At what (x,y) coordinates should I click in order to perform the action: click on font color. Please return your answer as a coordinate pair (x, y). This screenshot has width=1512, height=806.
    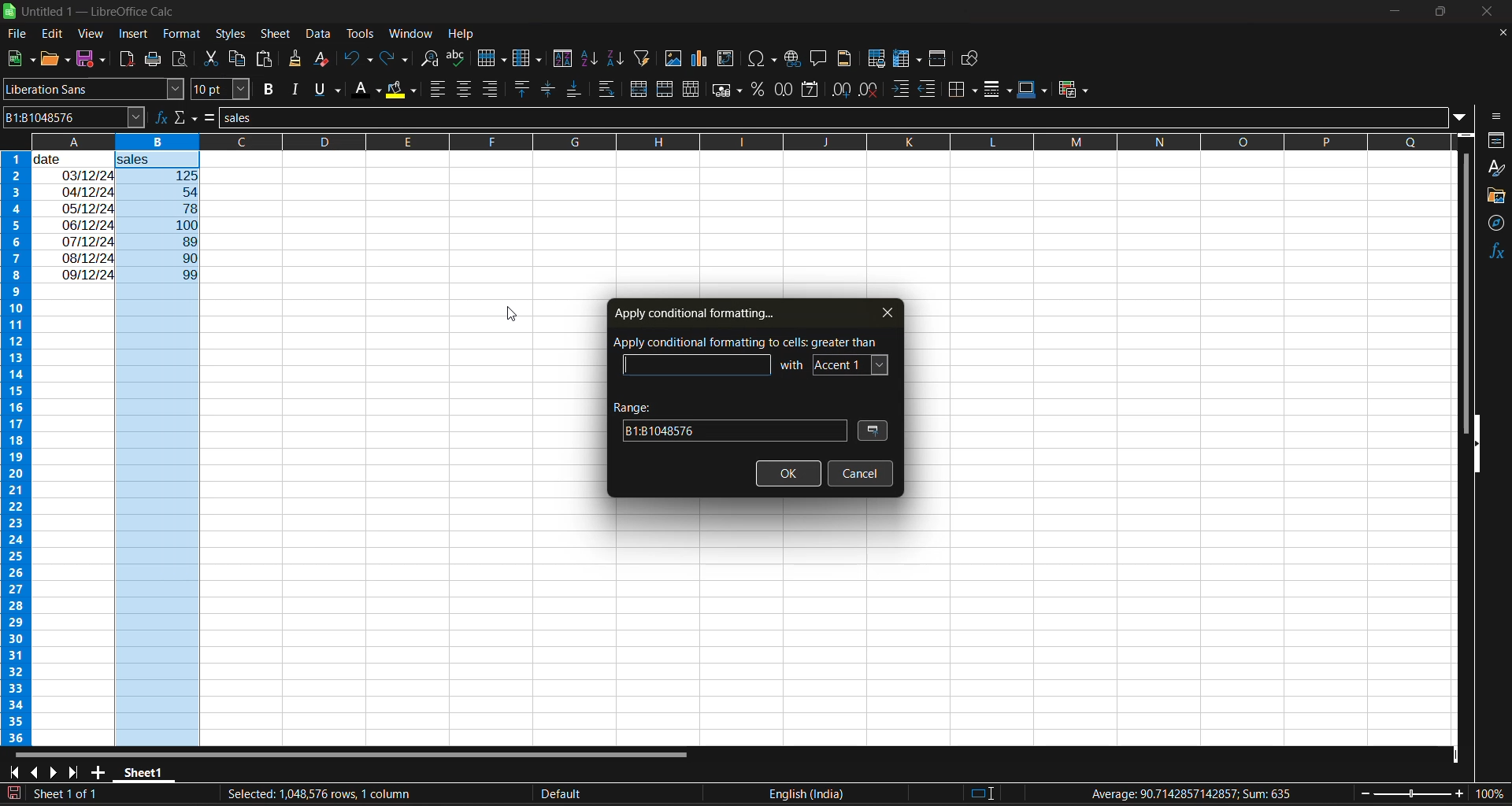
    Looking at the image, I should click on (369, 91).